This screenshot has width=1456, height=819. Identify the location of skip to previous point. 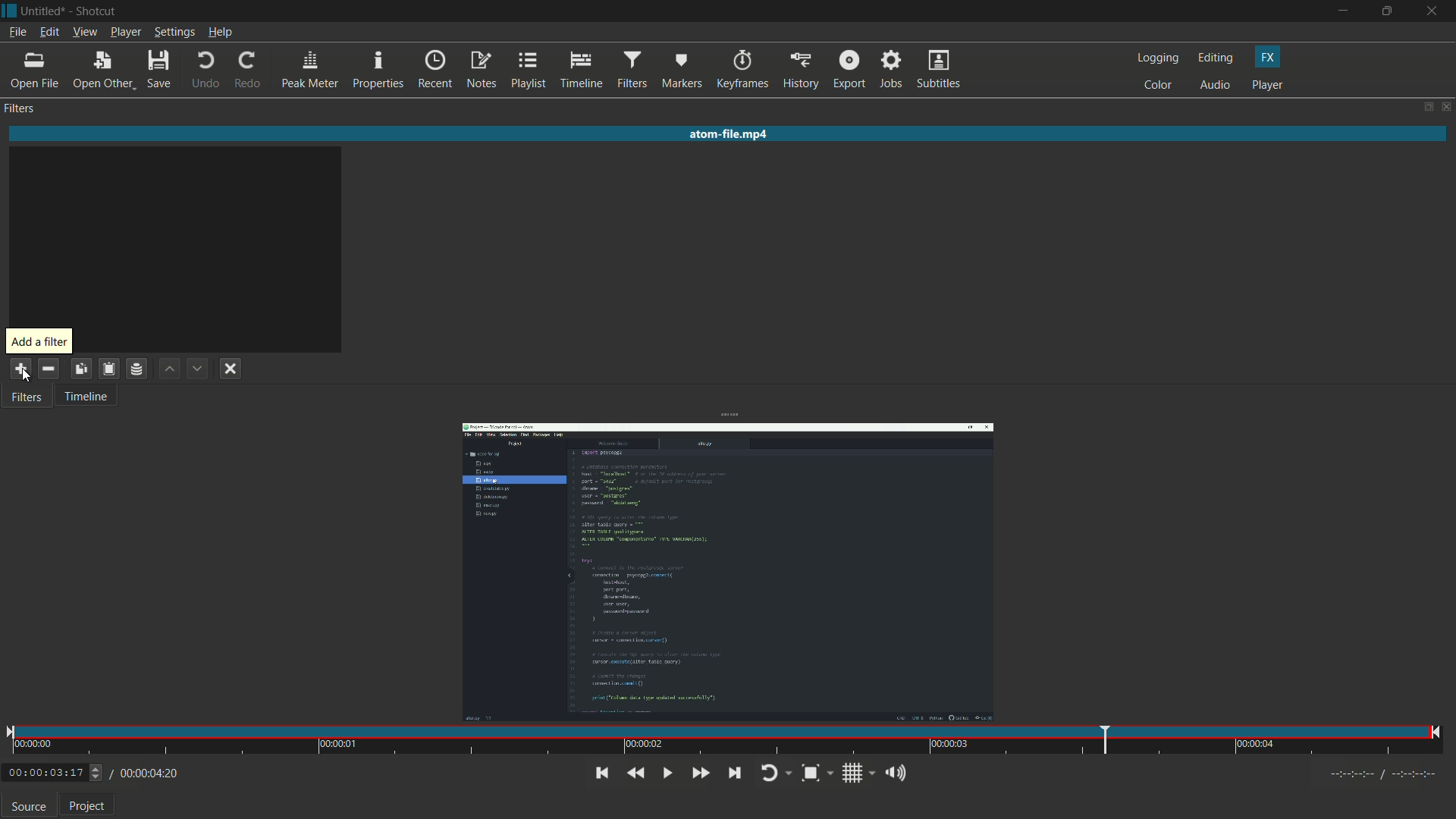
(599, 772).